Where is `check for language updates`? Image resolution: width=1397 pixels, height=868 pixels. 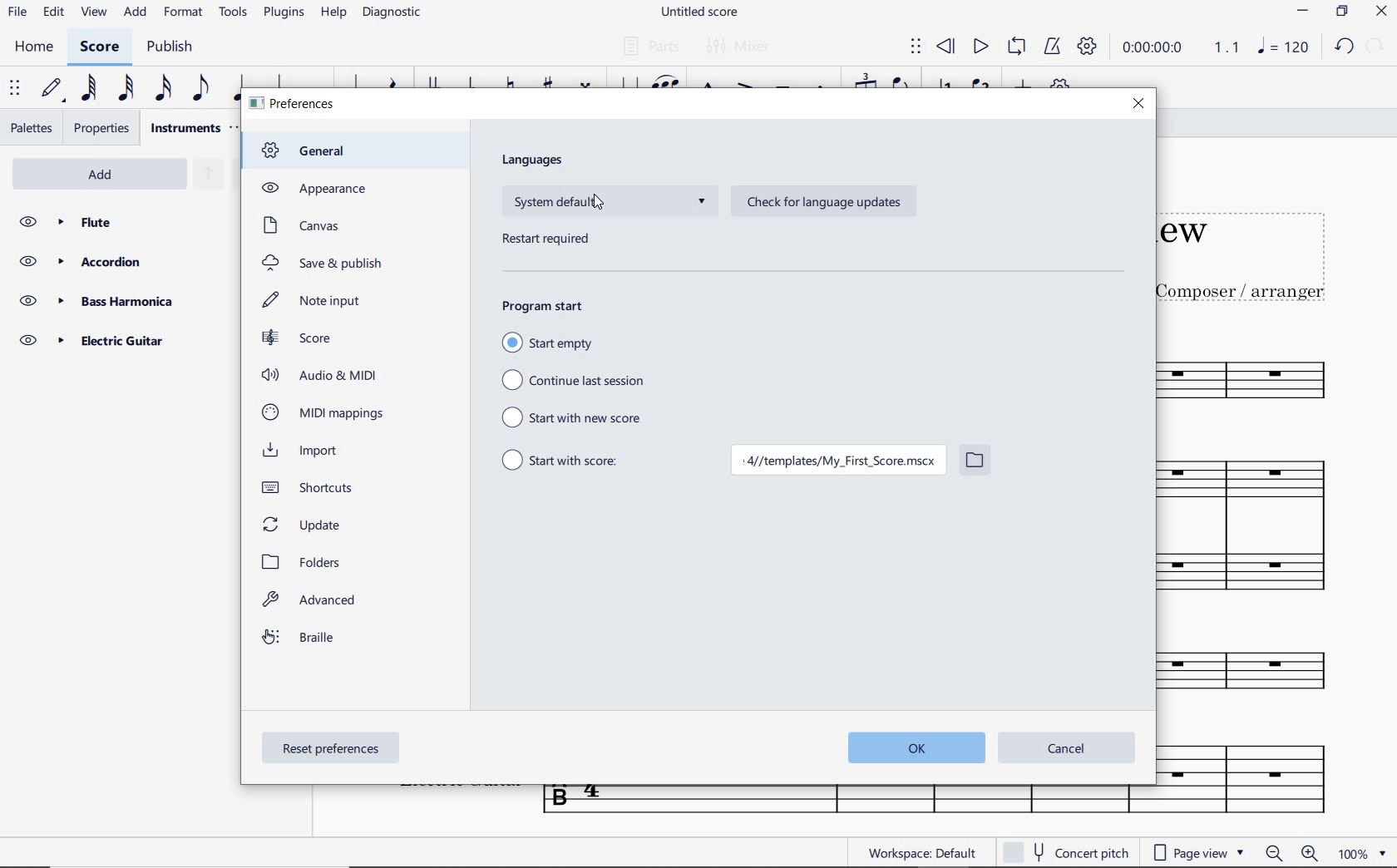 check for language updates is located at coordinates (820, 203).